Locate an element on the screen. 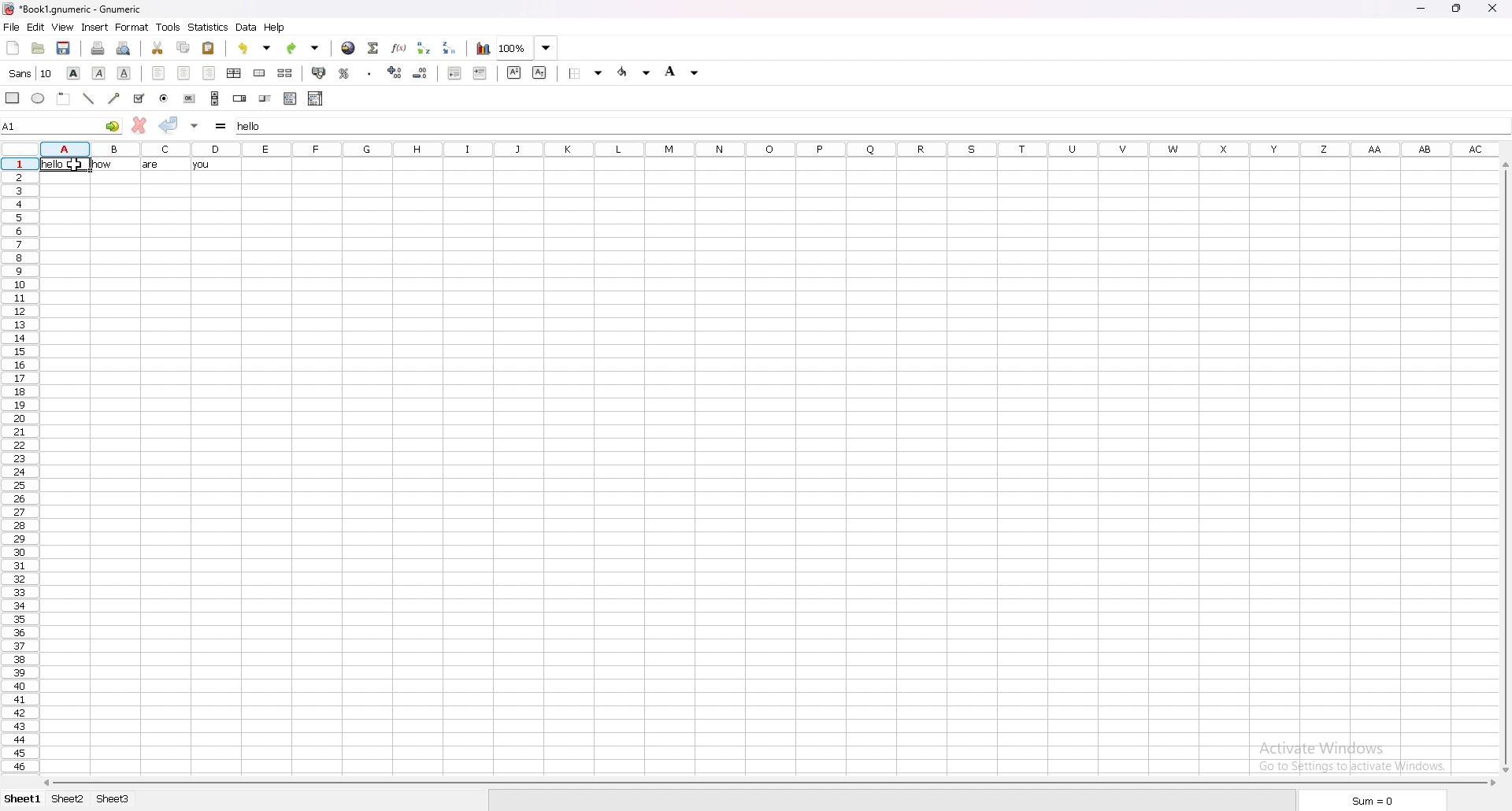 The height and width of the screenshot is (811, 1512). scroll bar is located at coordinates (1504, 466).